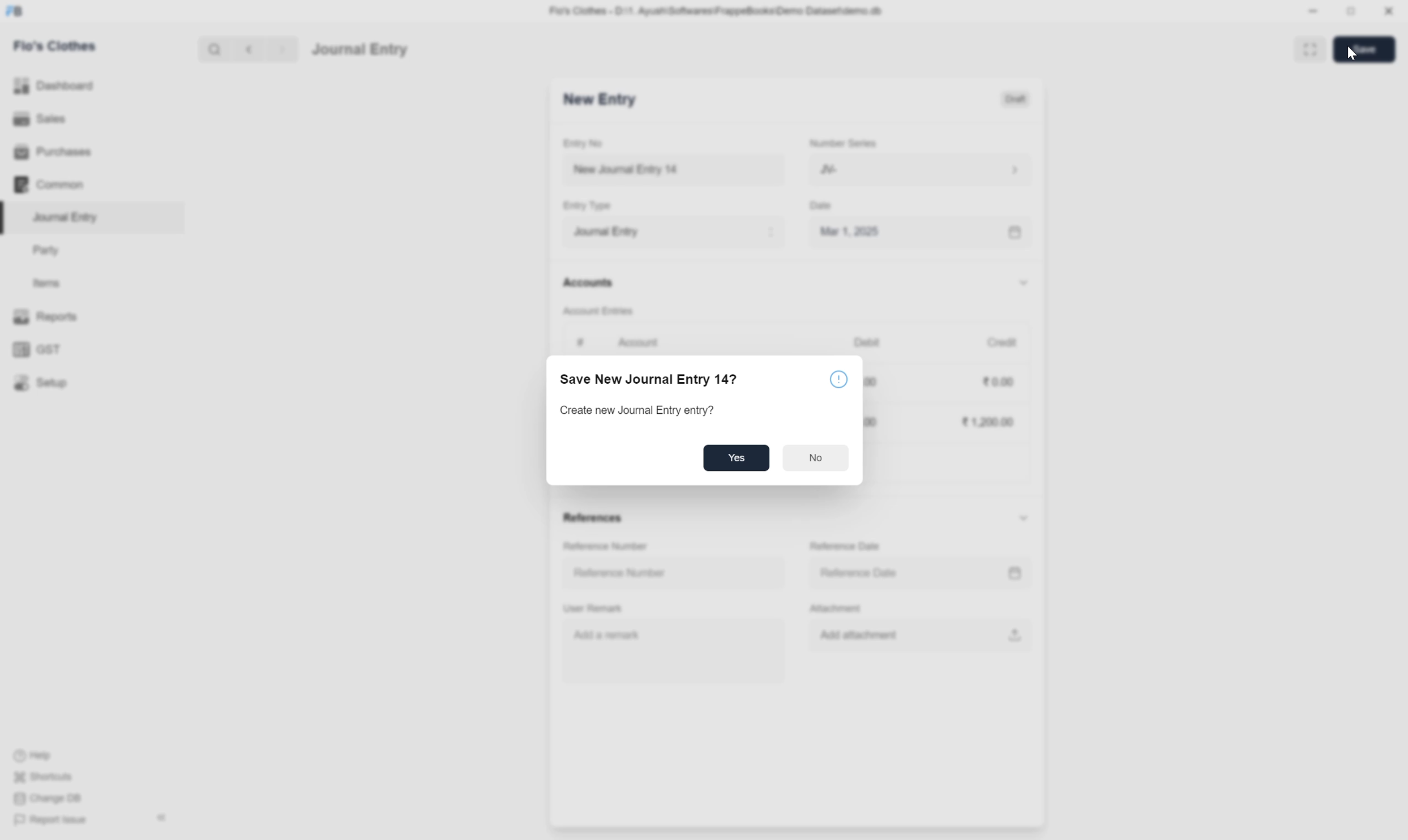 This screenshot has height=840, width=1408. Describe the element at coordinates (36, 756) in the screenshot. I see `Help` at that location.